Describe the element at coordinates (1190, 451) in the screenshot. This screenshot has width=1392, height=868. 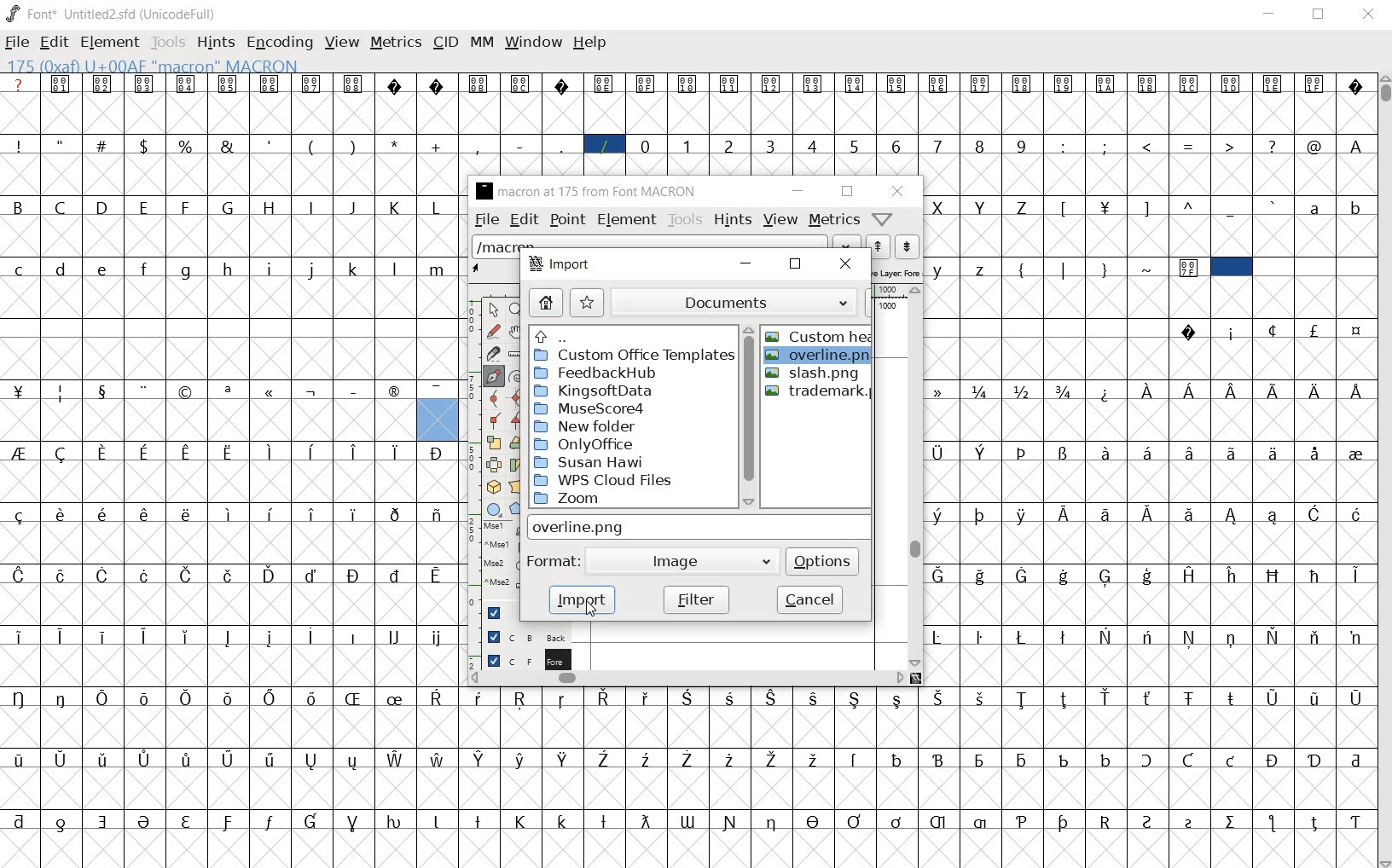
I see `Symbol` at that location.